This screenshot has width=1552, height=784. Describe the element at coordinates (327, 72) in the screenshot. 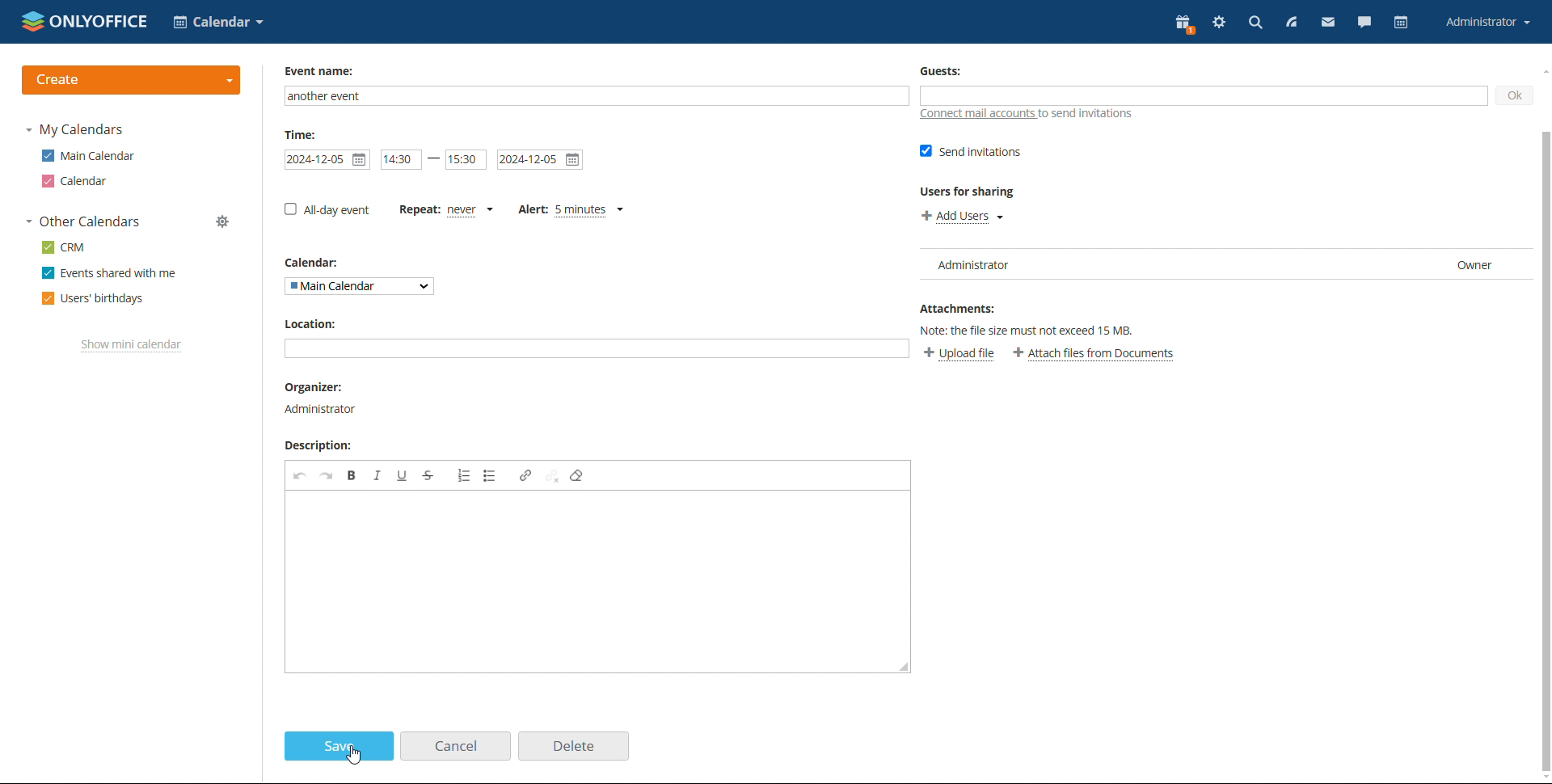

I see `Event name:` at that location.